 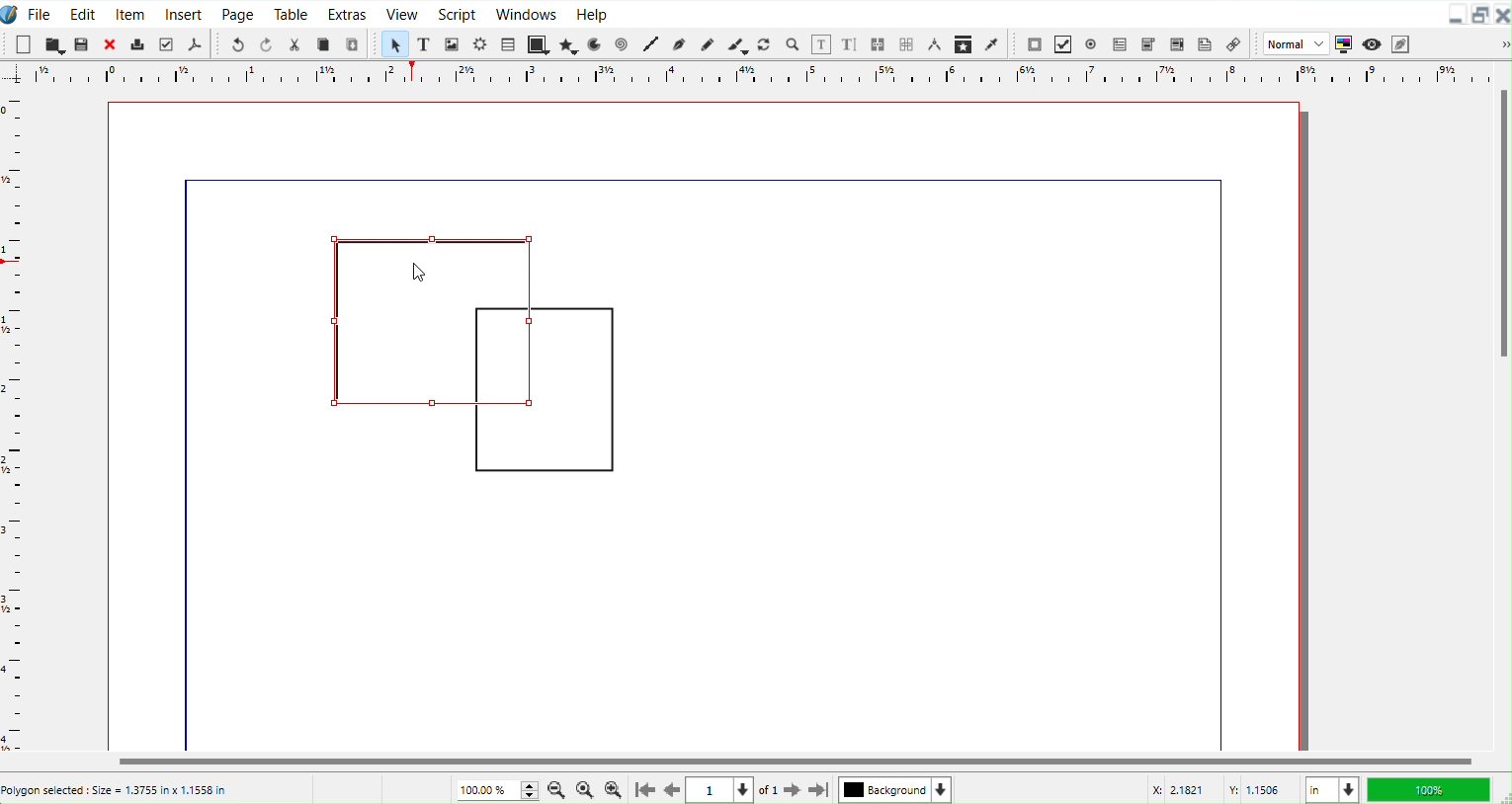 What do you see at coordinates (294, 42) in the screenshot?
I see `Cut` at bounding box center [294, 42].